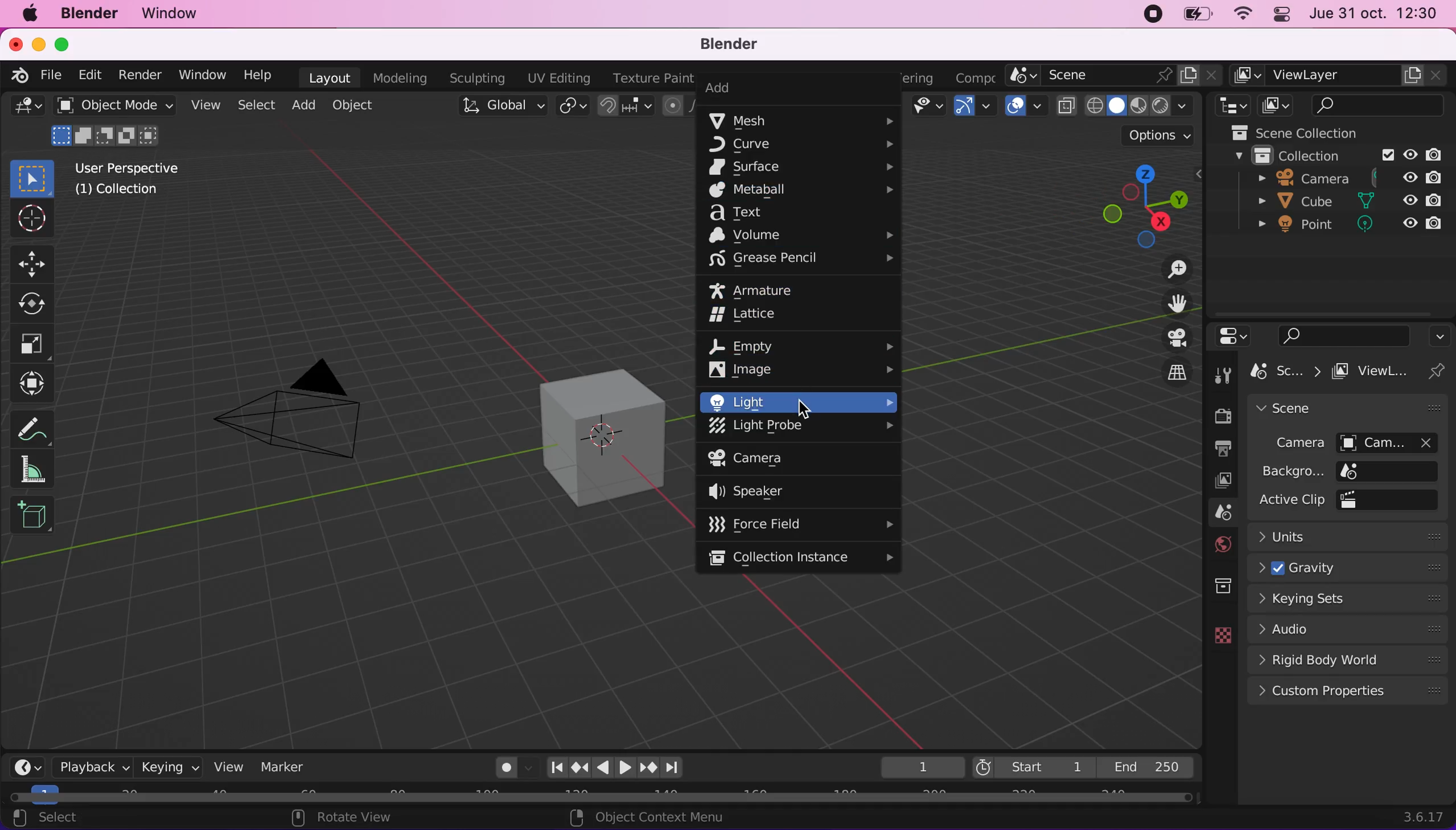 The image size is (1456, 830). What do you see at coordinates (802, 120) in the screenshot?
I see `mesh` at bounding box center [802, 120].